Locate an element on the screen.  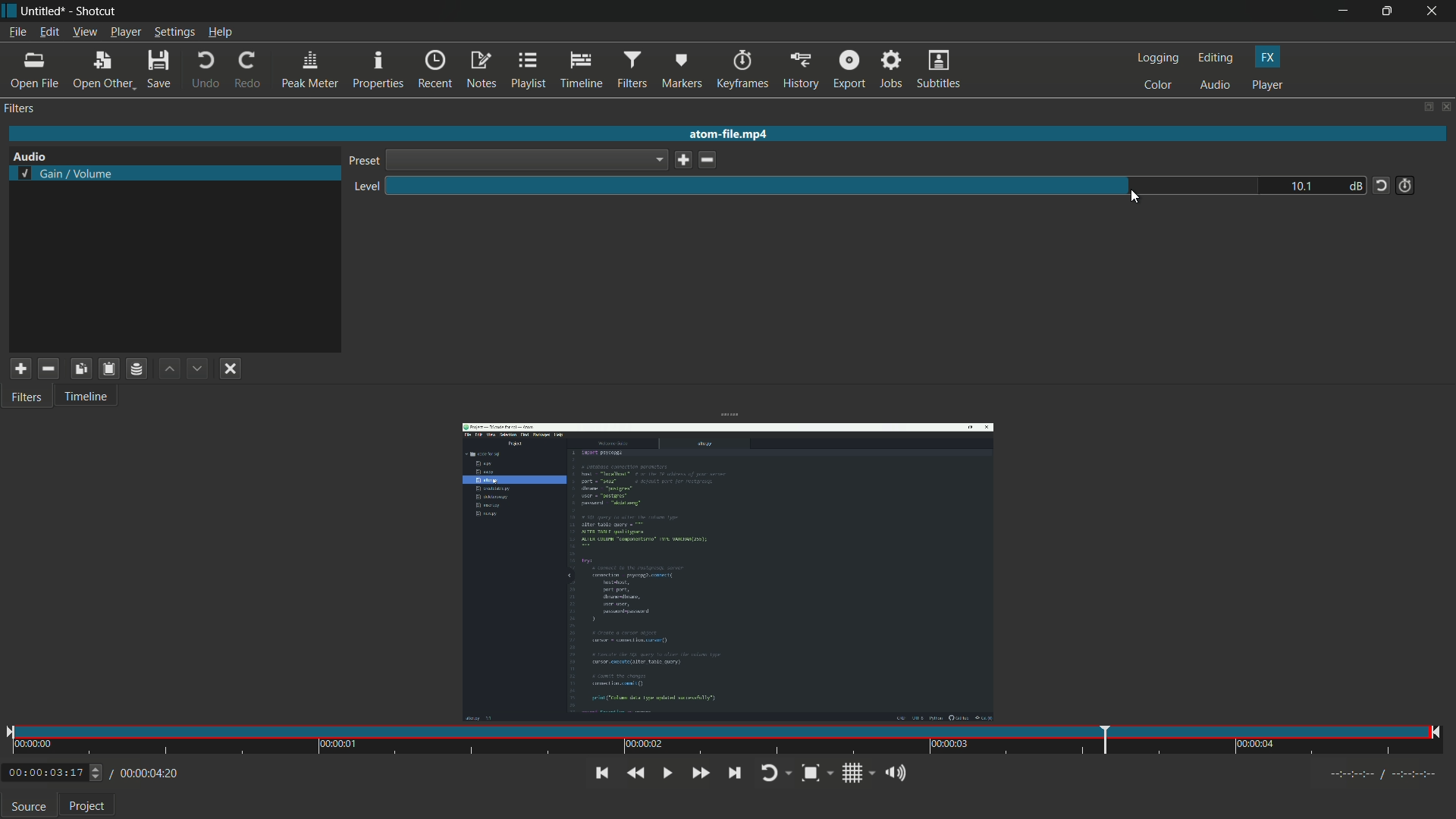
view menu is located at coordinates (84, 33).